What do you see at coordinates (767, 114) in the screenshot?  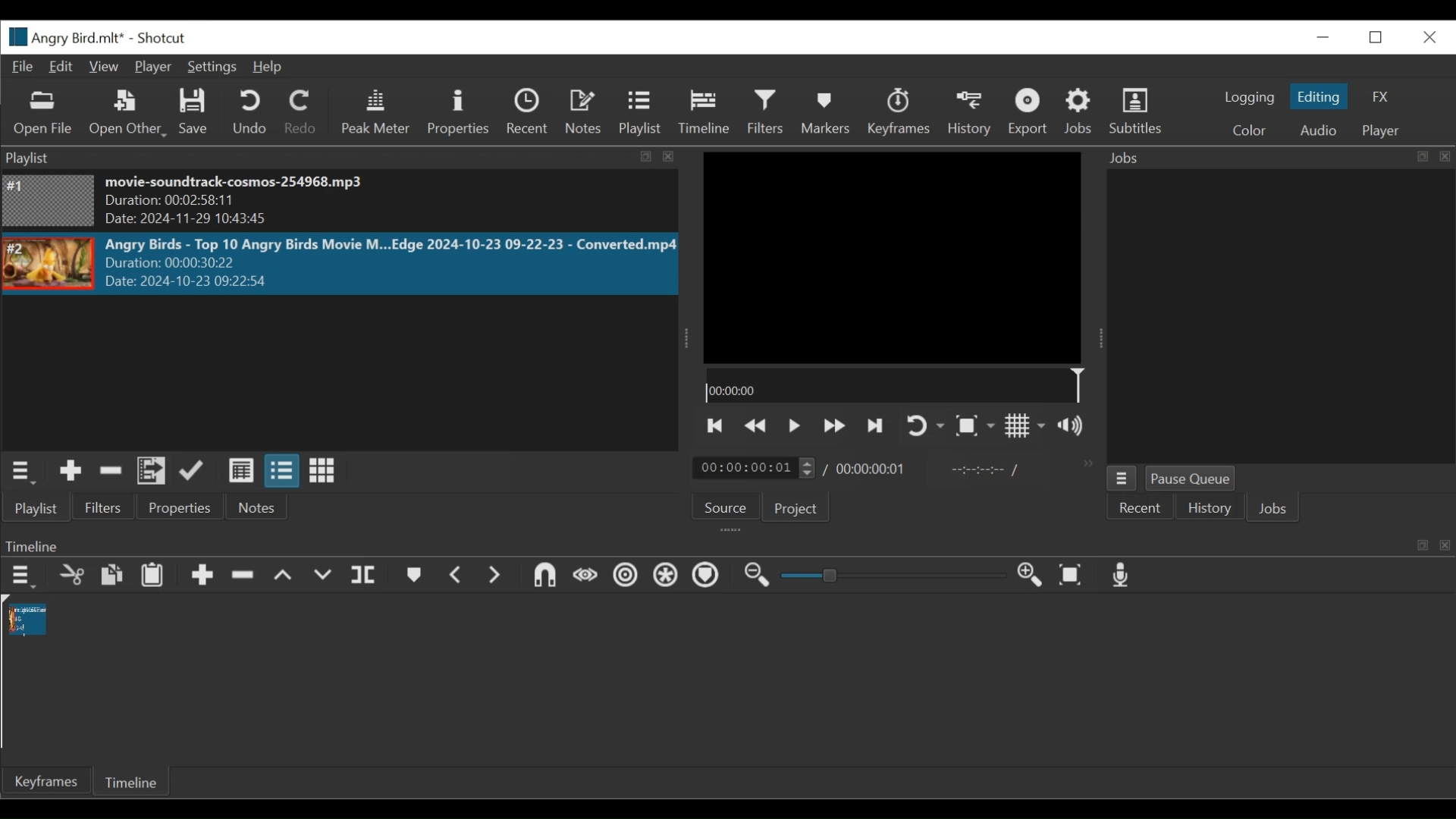 I see `Filters` at bounding box center [767, 114].